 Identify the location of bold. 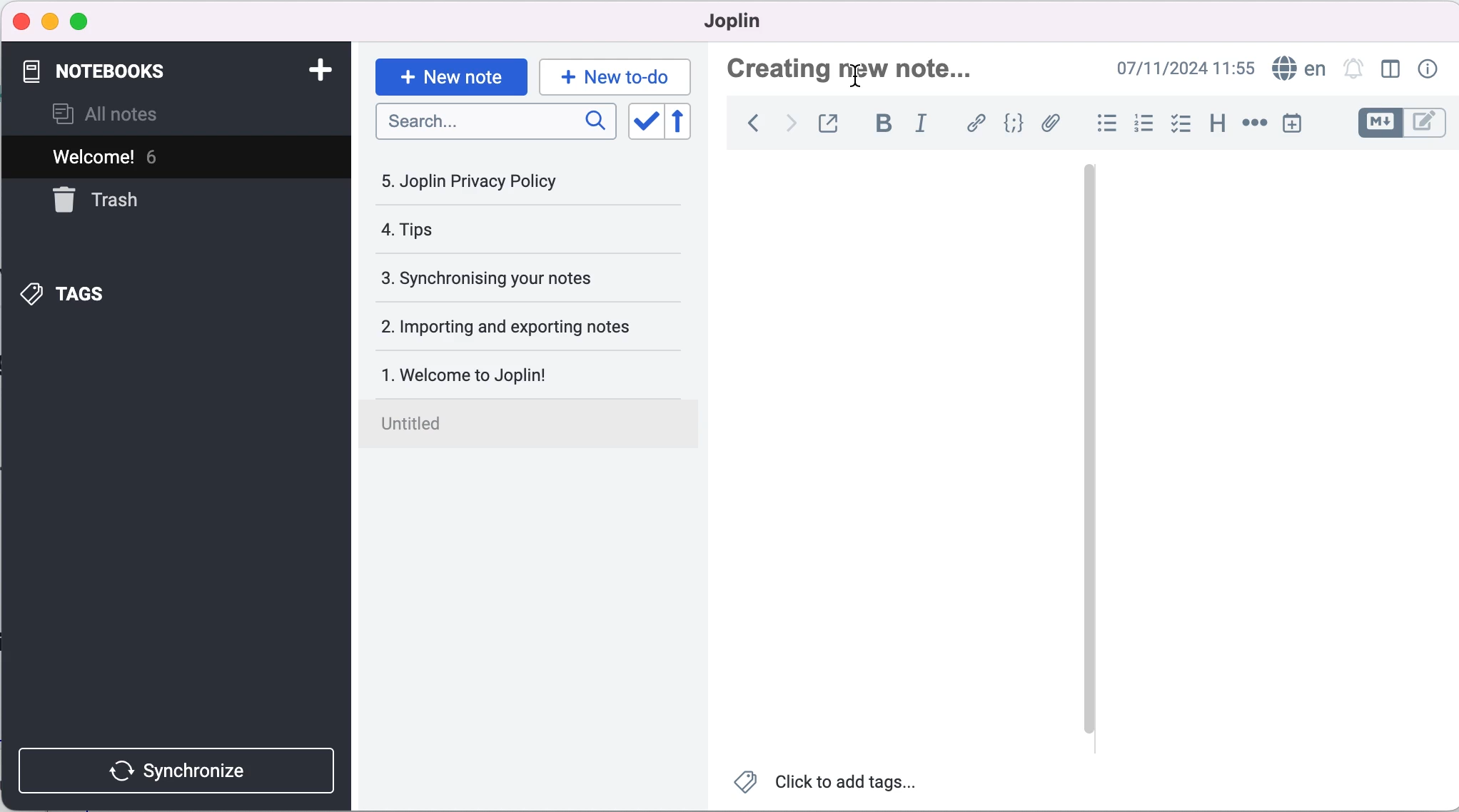
(879, 126).